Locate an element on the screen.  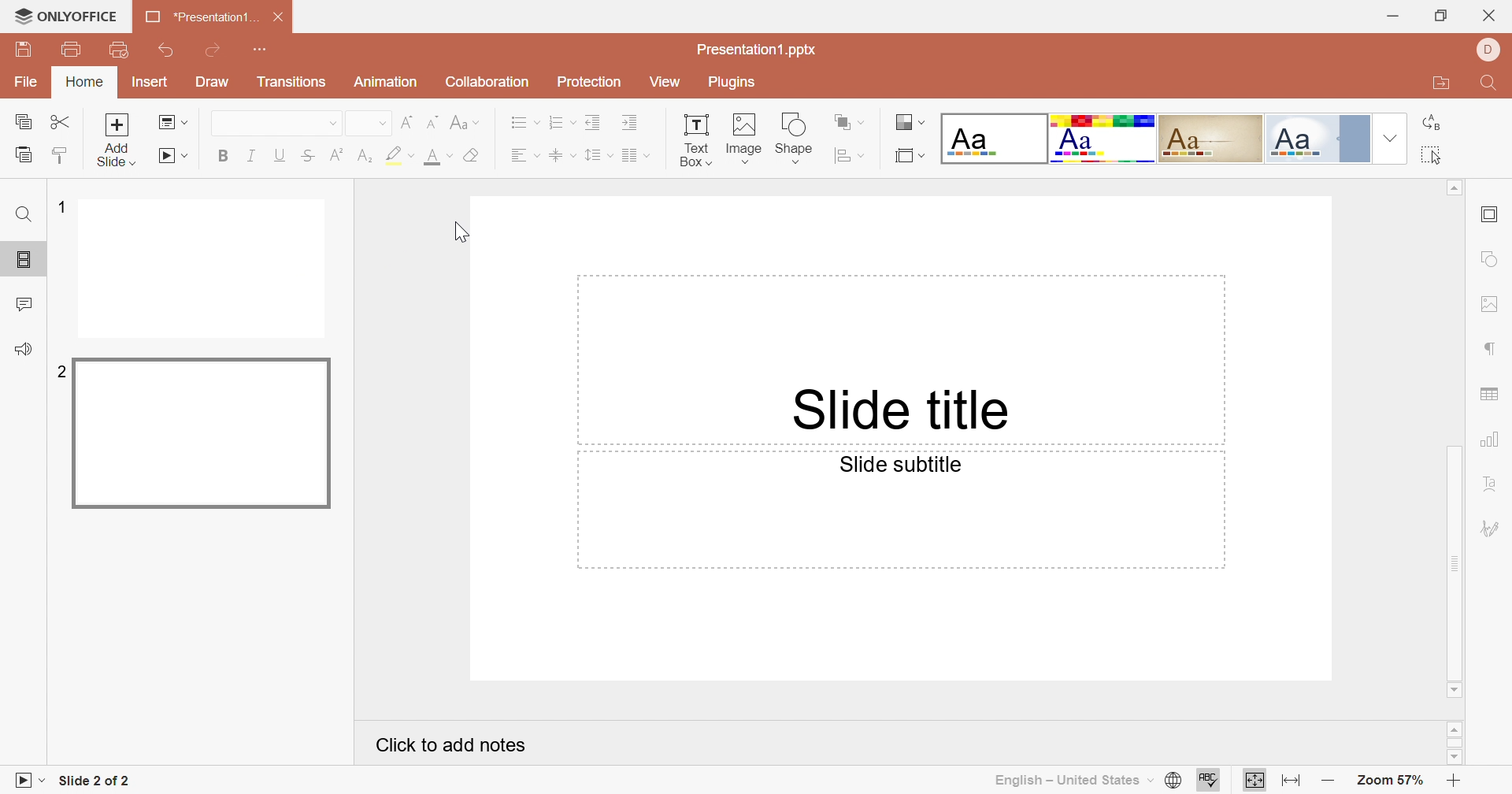
Classic is located at coordinates (1214, 138).